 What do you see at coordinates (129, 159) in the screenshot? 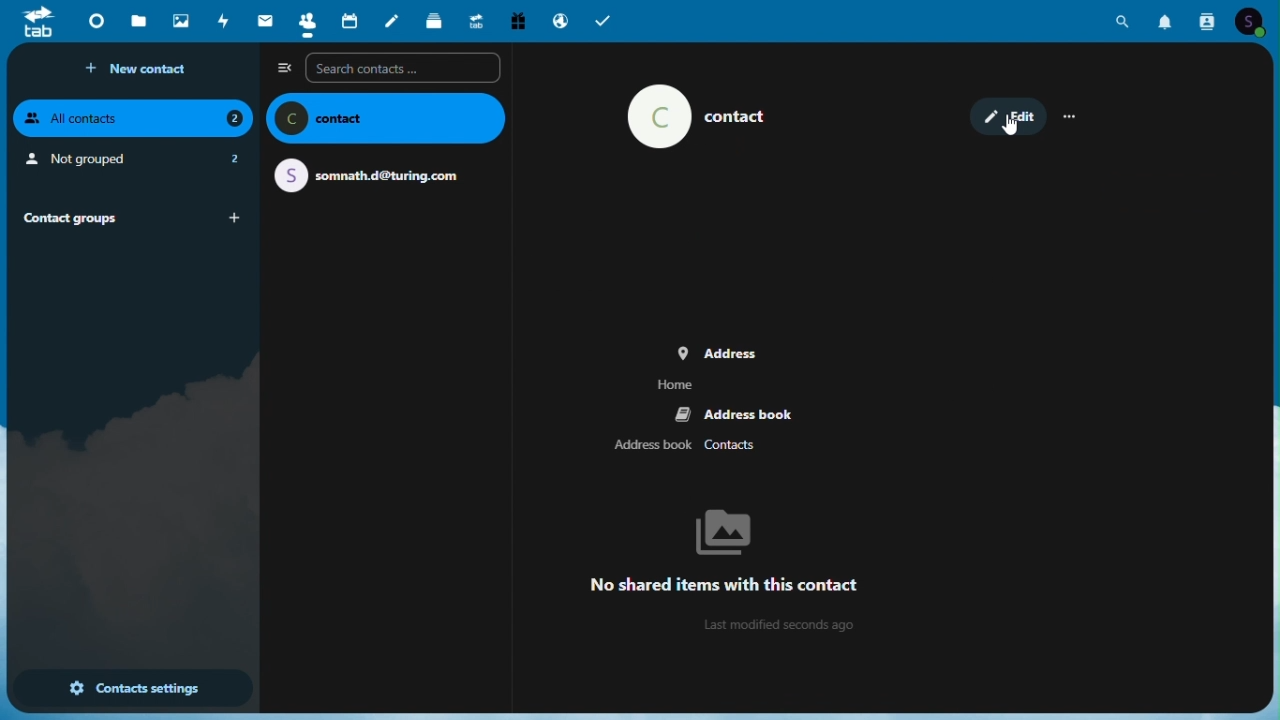
I see `not grouped ` at bounding box center [129, 159].